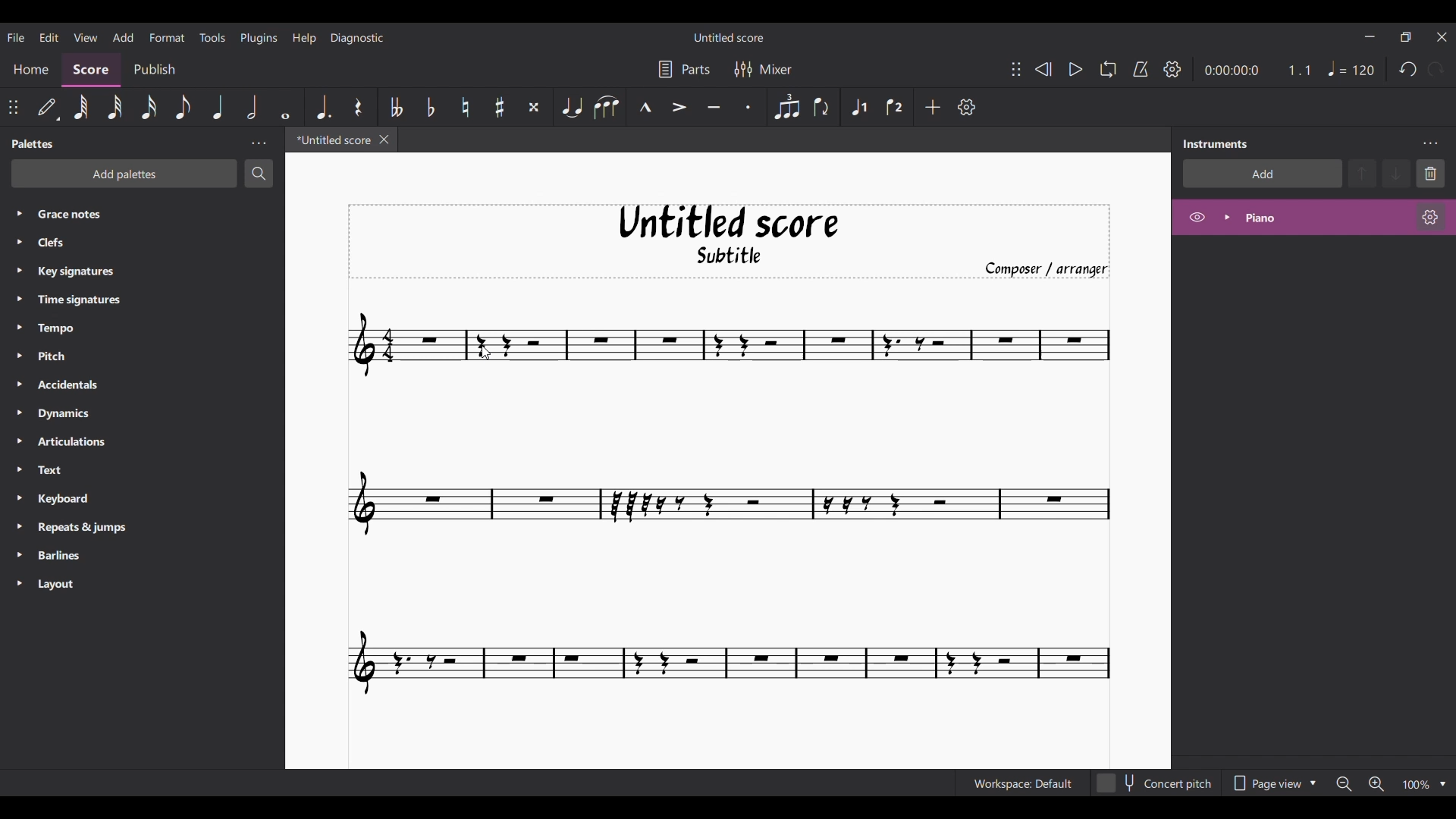 This screenshot has width=1456, height=819. Describe the element at coordinates (324, 108) in the screenshot. I see `Augmentation dot` at that location.